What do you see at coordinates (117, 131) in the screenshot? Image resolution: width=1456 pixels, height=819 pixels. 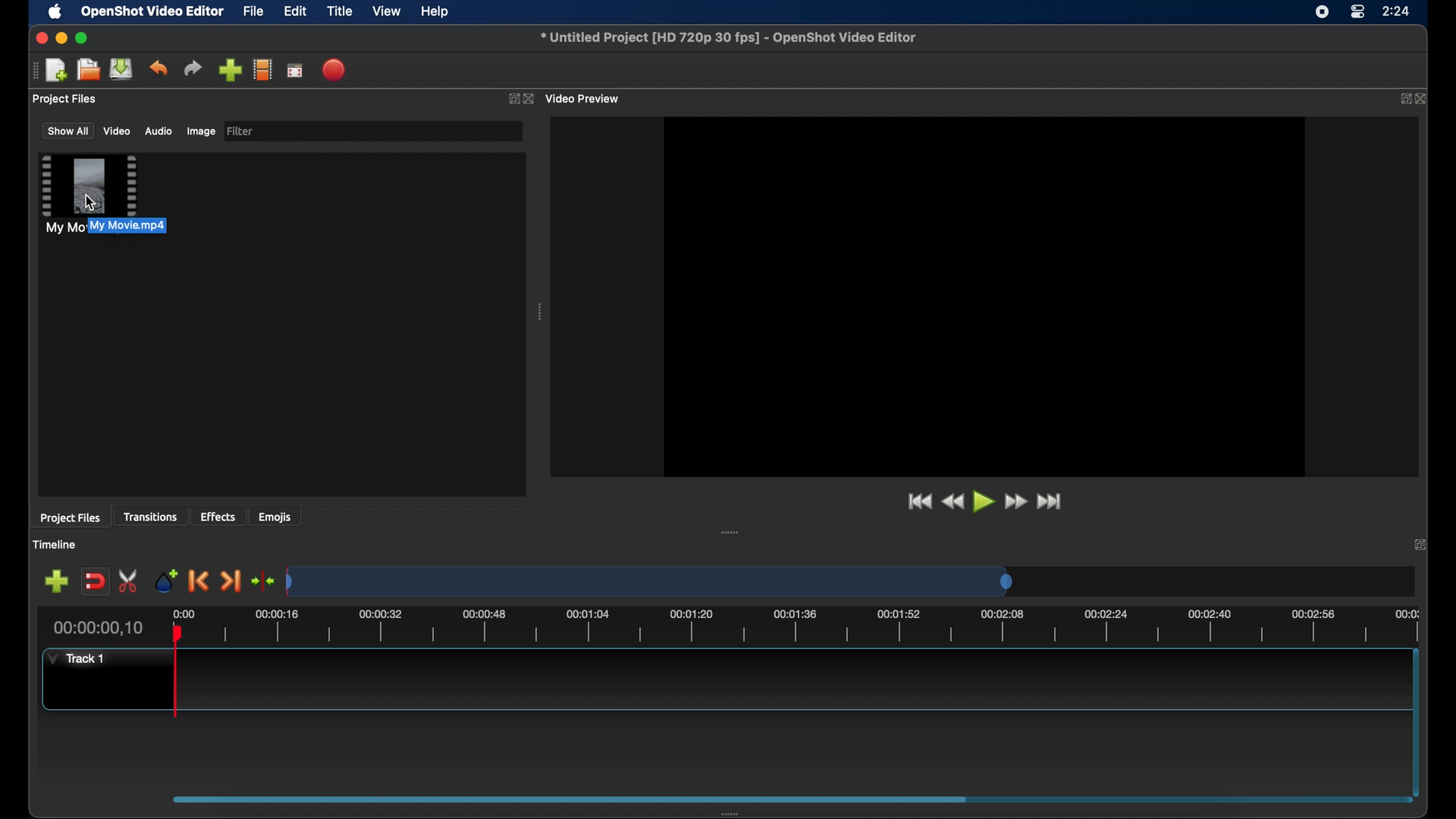 I see `video` at bounding box center [117, 131].